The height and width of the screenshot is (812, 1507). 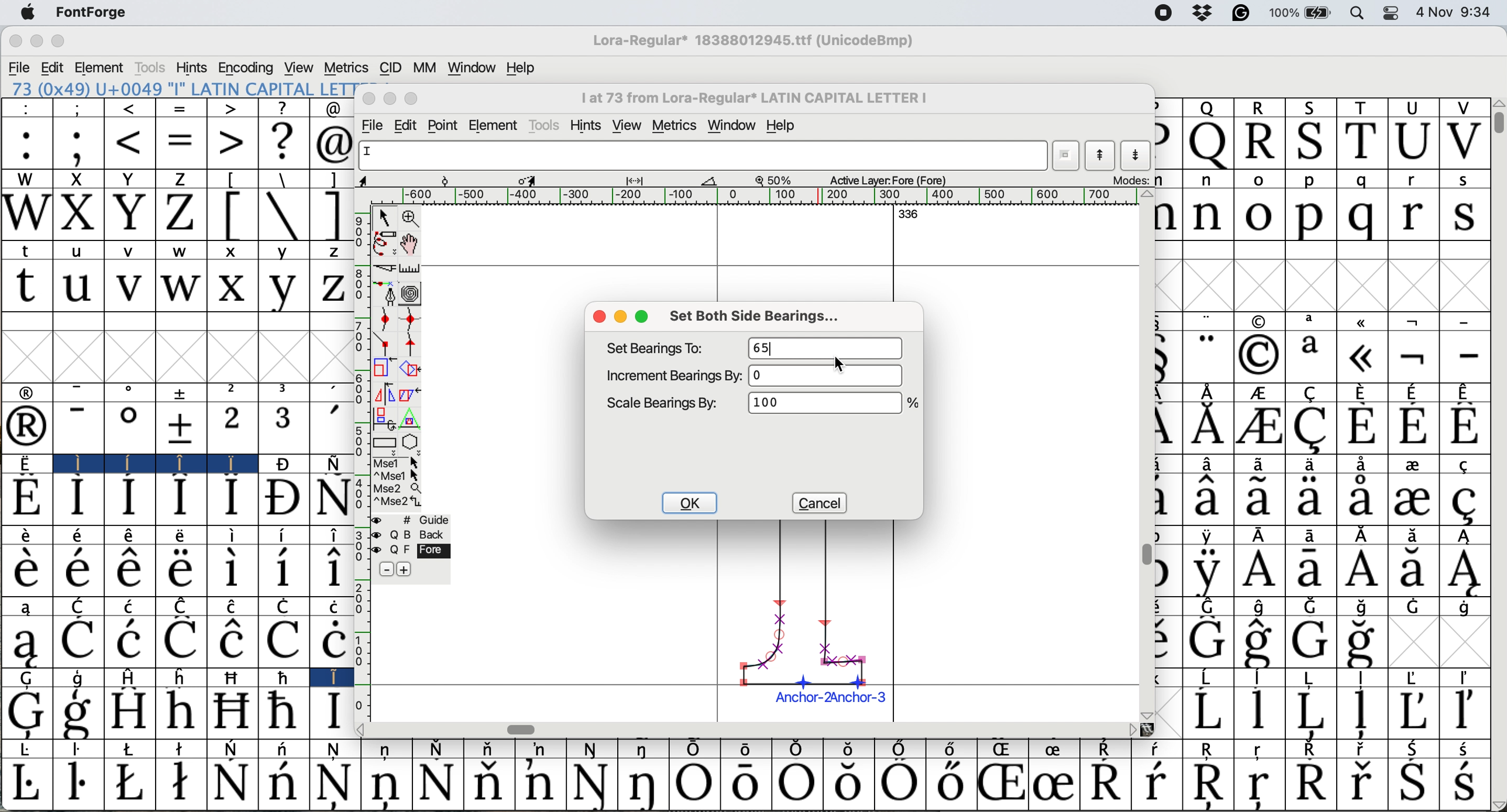 What do you see at coordinates (288, 605) in the screenshot?
I see `Symbol` at bounding box center [288, 605].